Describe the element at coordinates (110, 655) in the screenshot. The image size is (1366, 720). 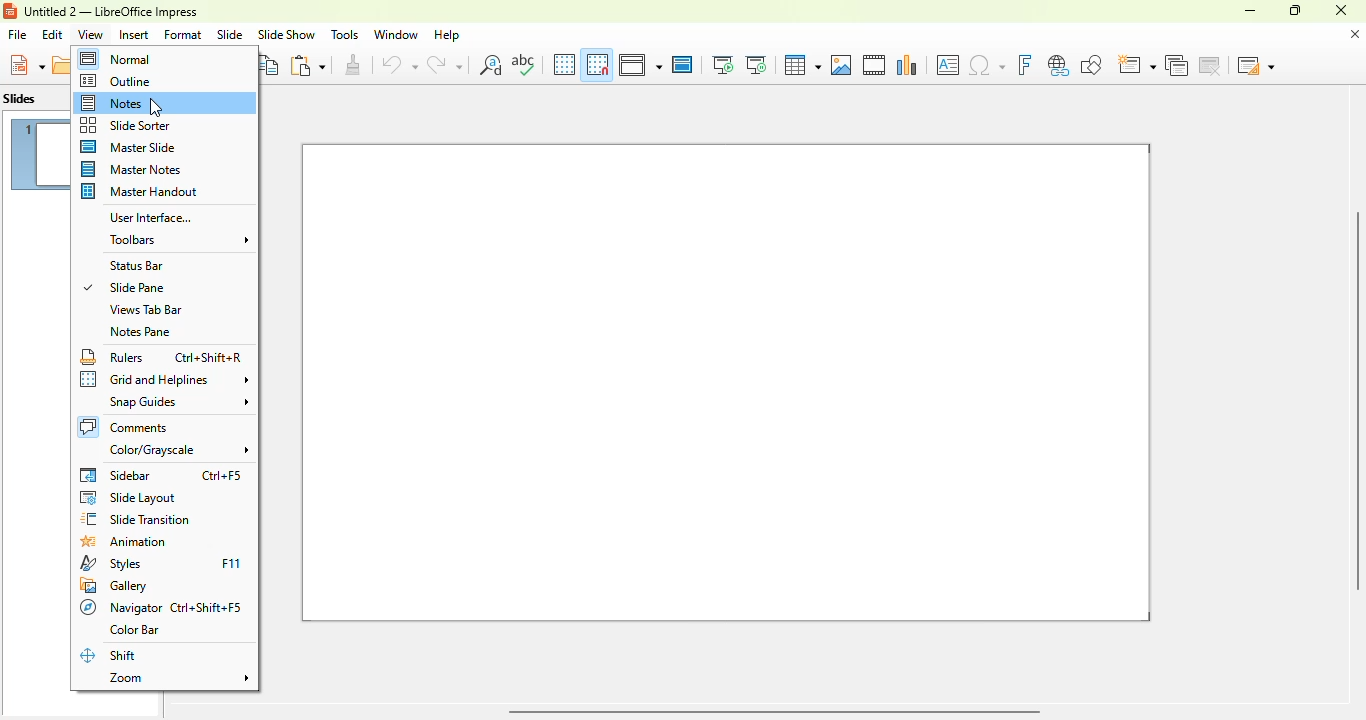
I see `shift` at that location.